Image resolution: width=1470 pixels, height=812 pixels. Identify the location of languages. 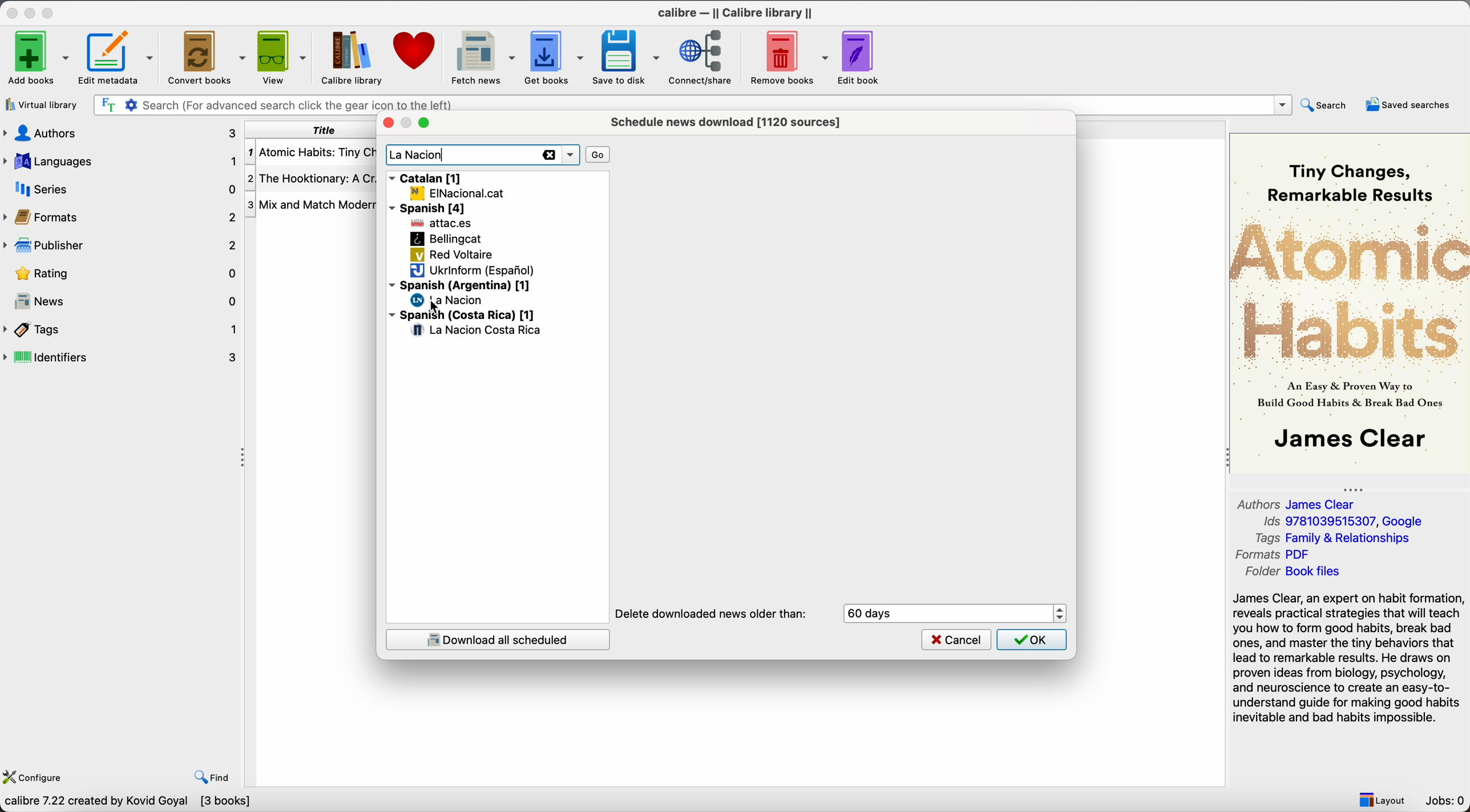
(122, 161).